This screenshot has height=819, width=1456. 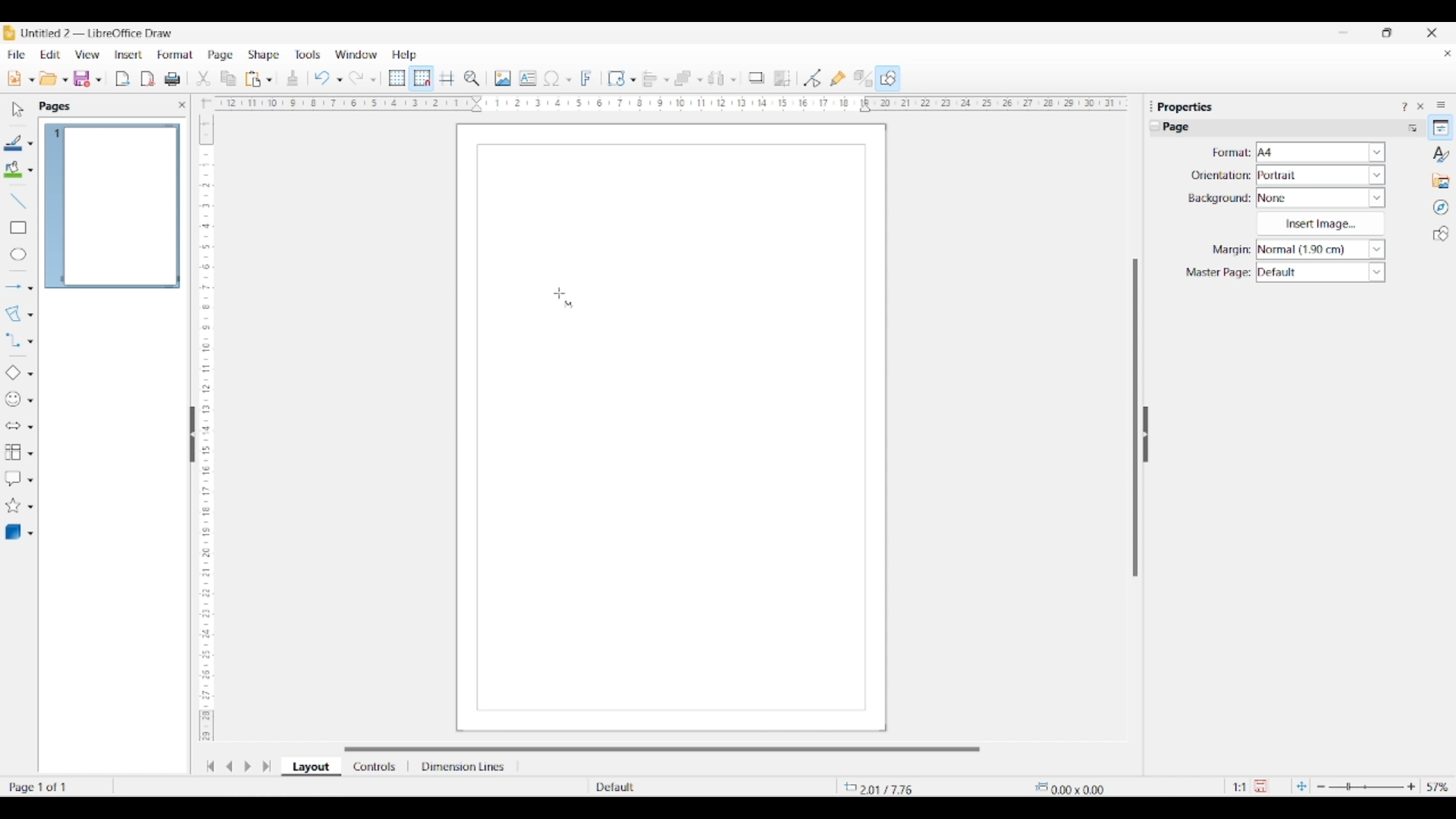 What do you see at coordinates (30, 144) in the screenshot?
I see `Line color options` at bounding box center [30, 144].